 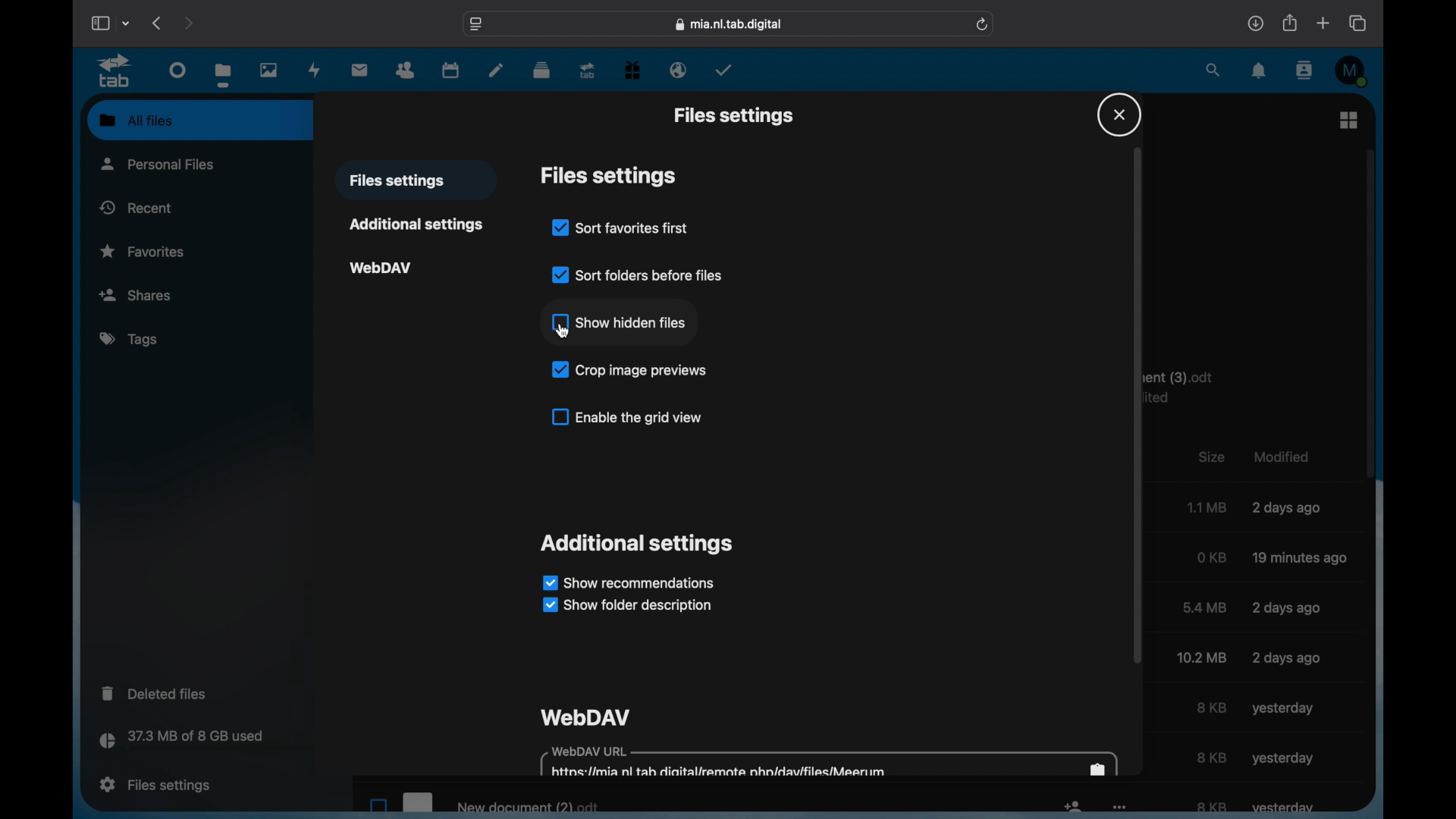 I want to click on size, so click(x=1213, y=557).